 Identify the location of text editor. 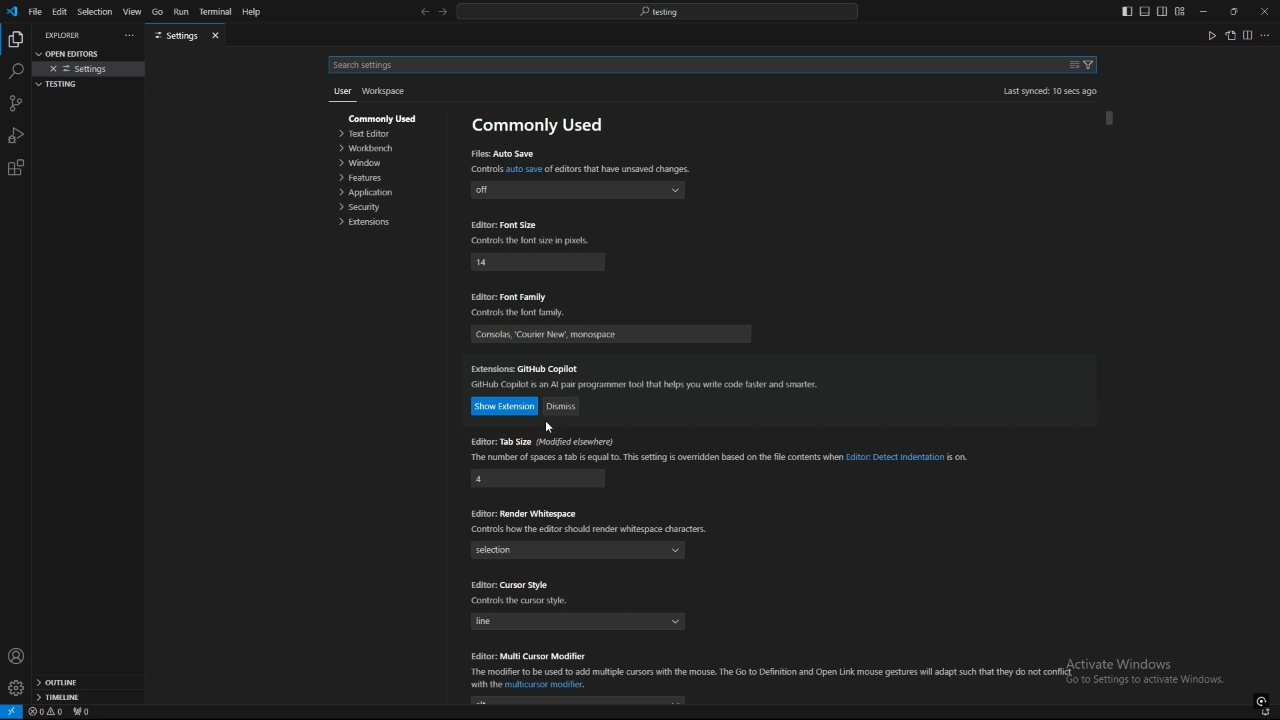
(379, 135).